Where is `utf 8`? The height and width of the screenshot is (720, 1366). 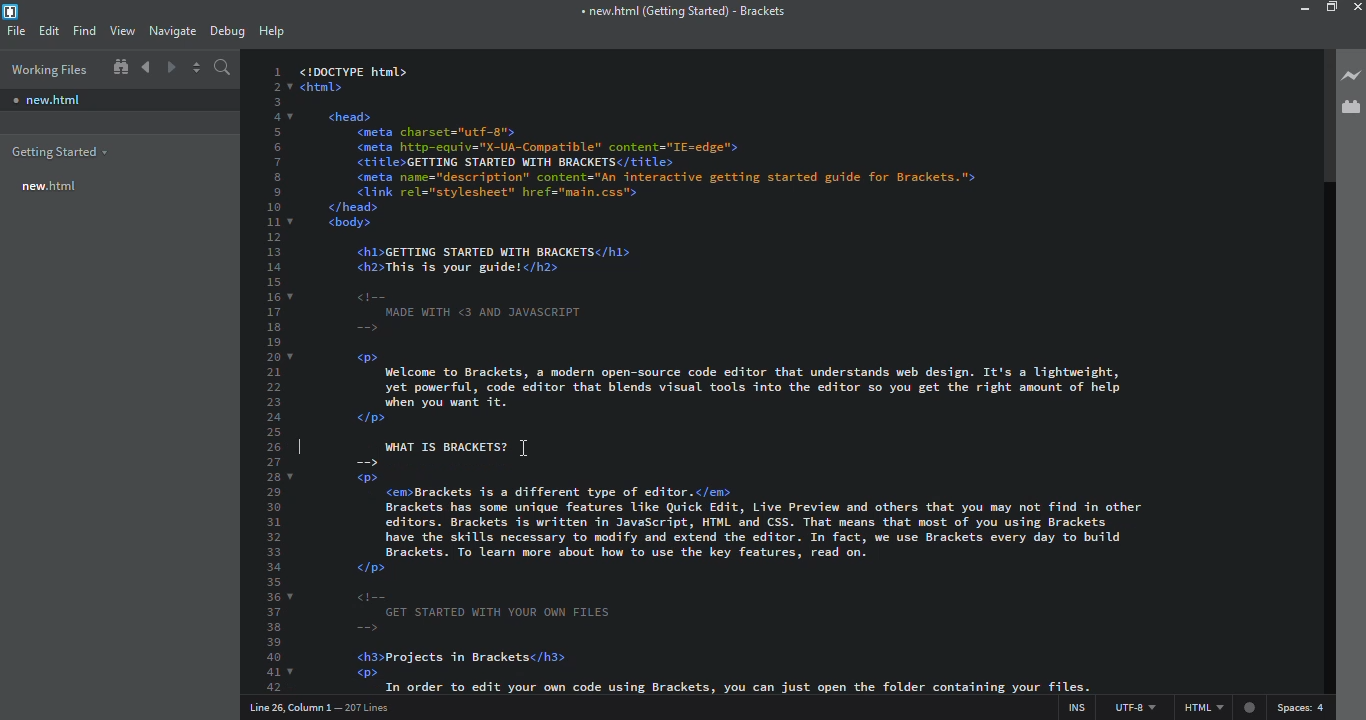
utf 8 is located at coordinates (1134, 704).